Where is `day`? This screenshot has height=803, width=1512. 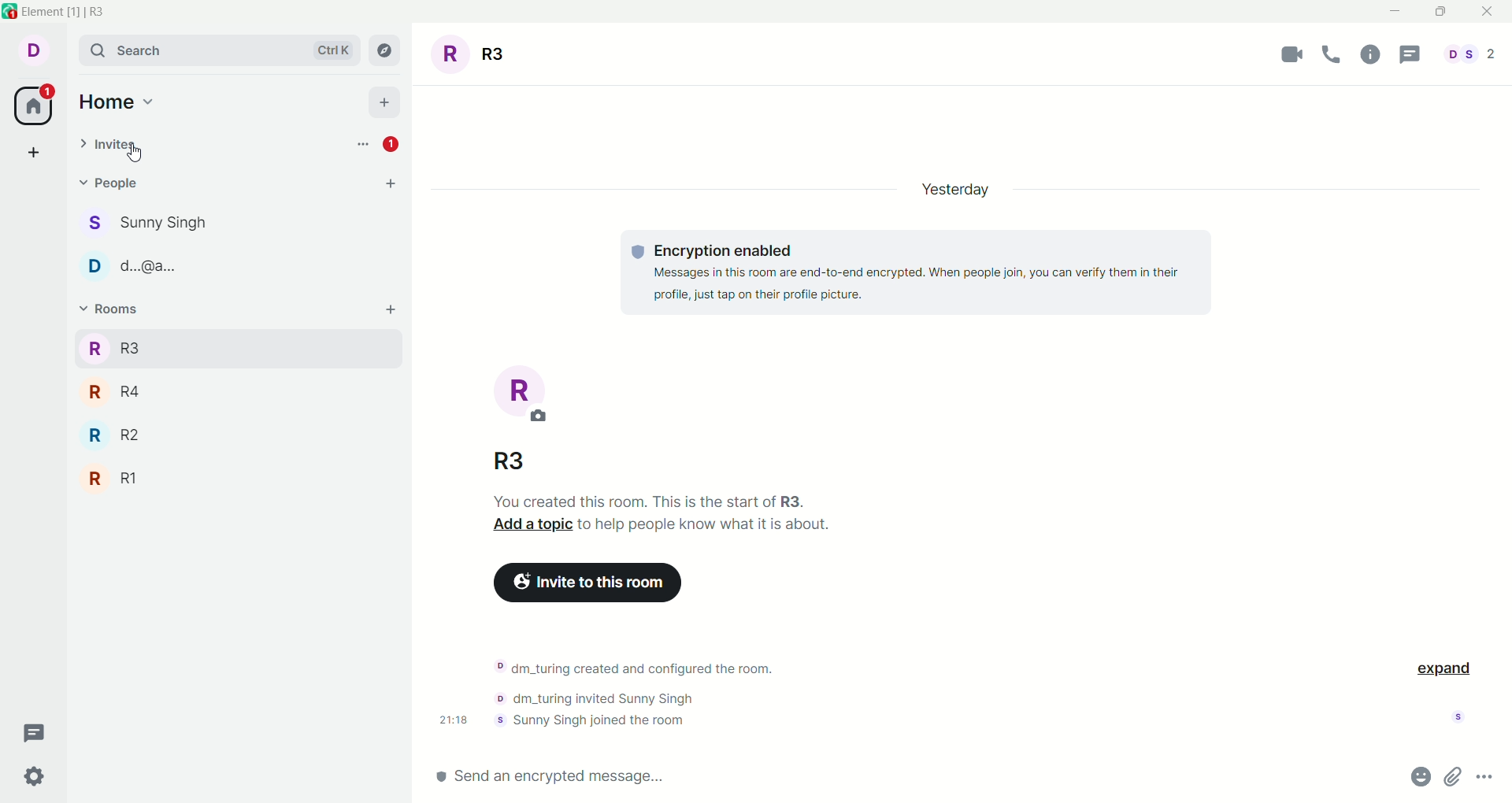 day is located at coordinates (962, 191).